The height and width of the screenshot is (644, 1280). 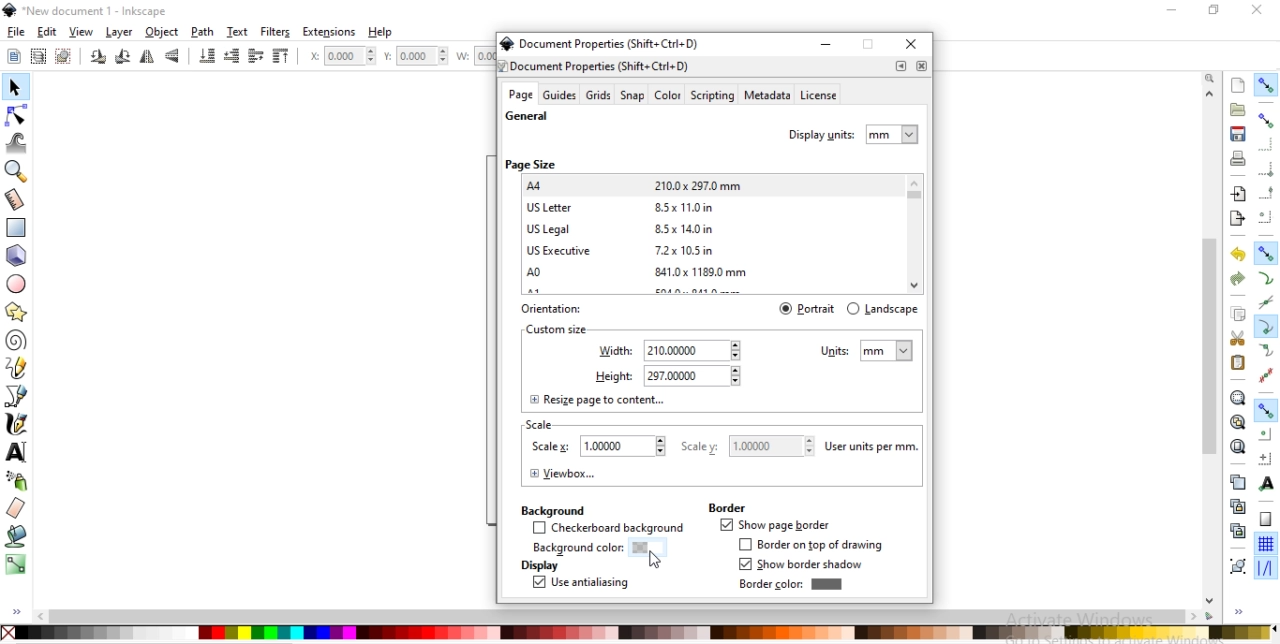 What do you see at coordinates (746, 447) in the screenshot?
I see `scale y` at bounding box center [746, 447].